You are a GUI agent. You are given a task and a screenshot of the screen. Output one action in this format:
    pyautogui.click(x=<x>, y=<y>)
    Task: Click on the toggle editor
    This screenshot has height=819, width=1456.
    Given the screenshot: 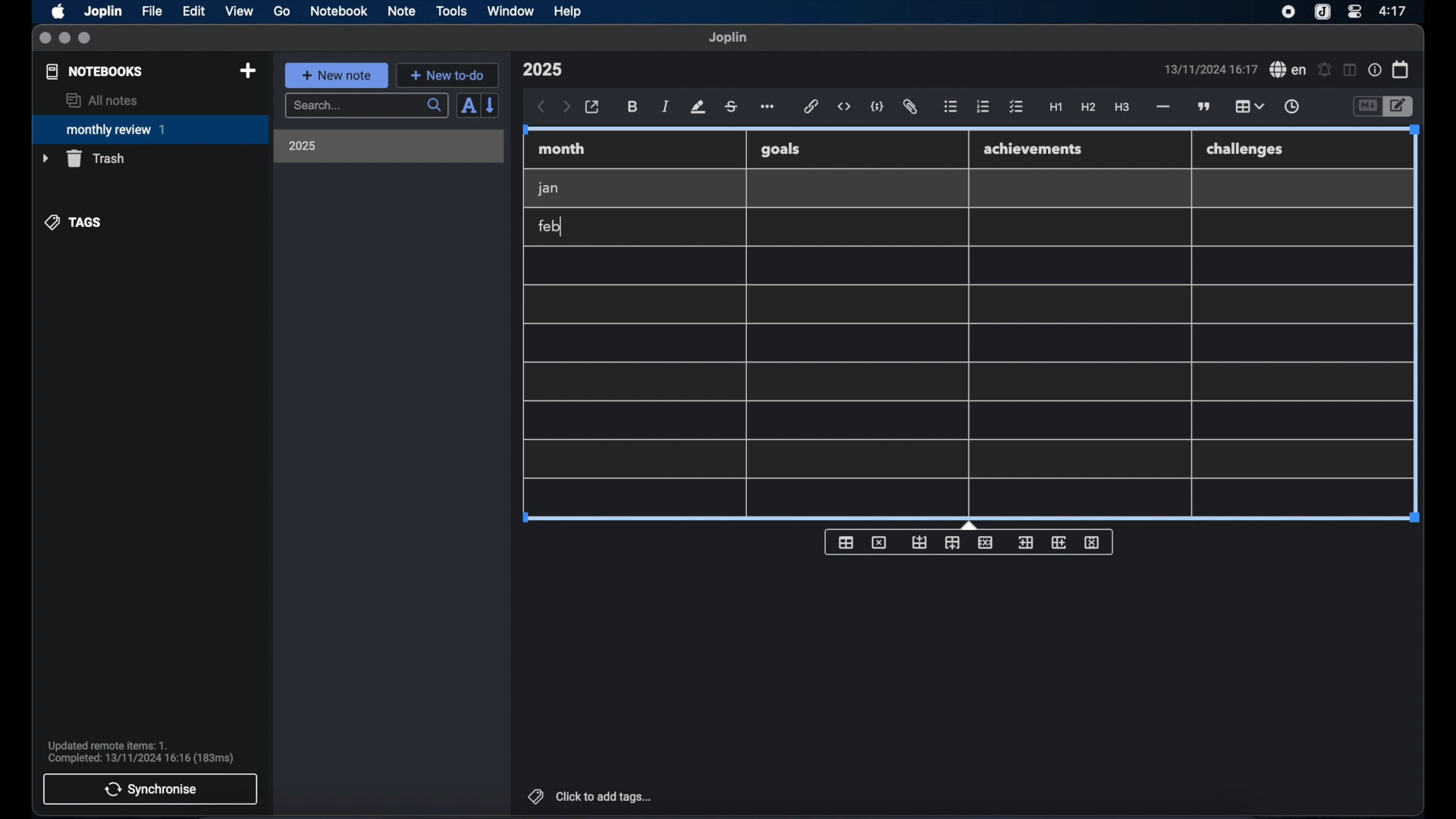 What is the action you would take?
    pyautogui.click(x=1367, y=107)
    